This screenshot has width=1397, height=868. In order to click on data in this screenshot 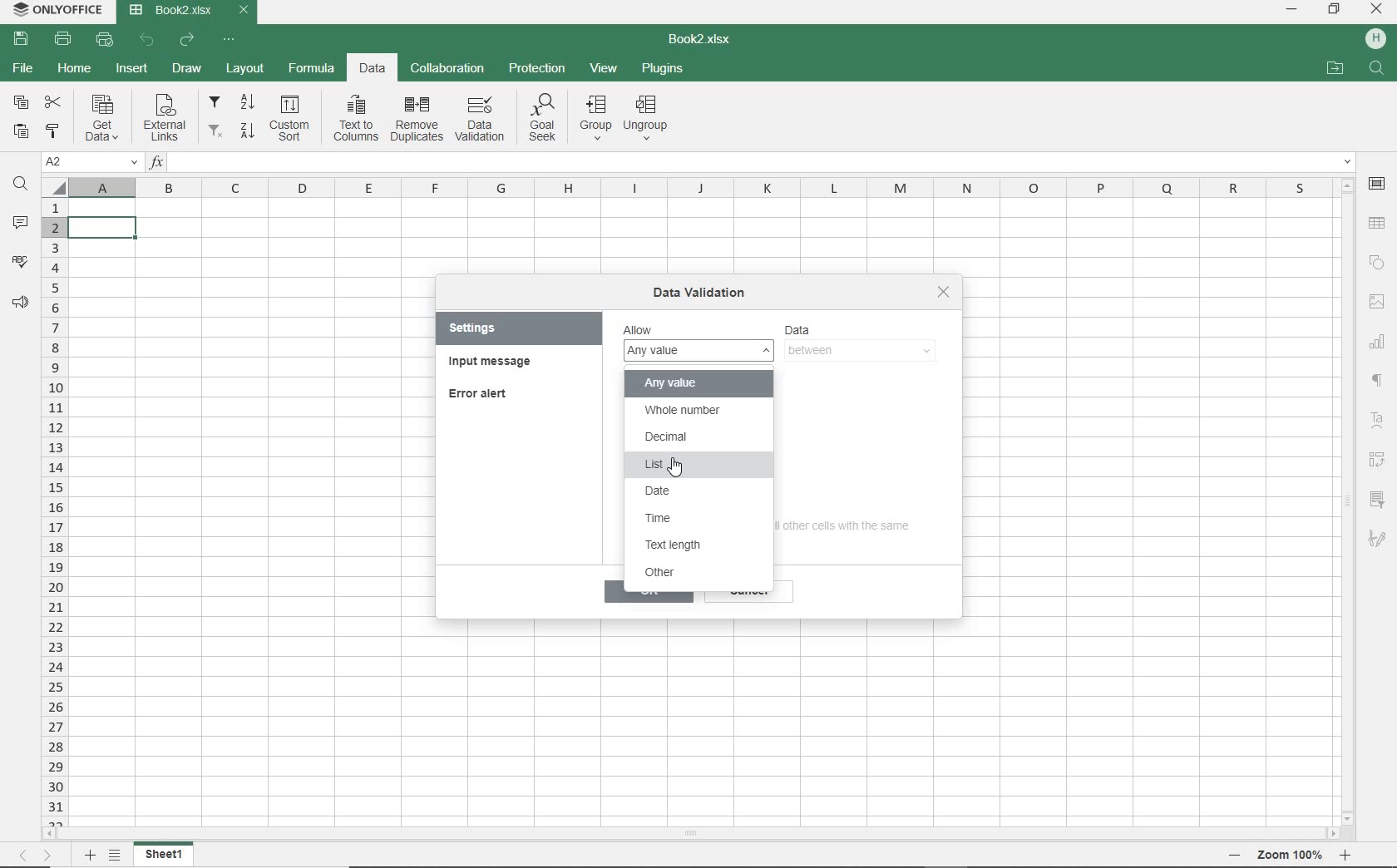, I will do `click(817, 330)`.